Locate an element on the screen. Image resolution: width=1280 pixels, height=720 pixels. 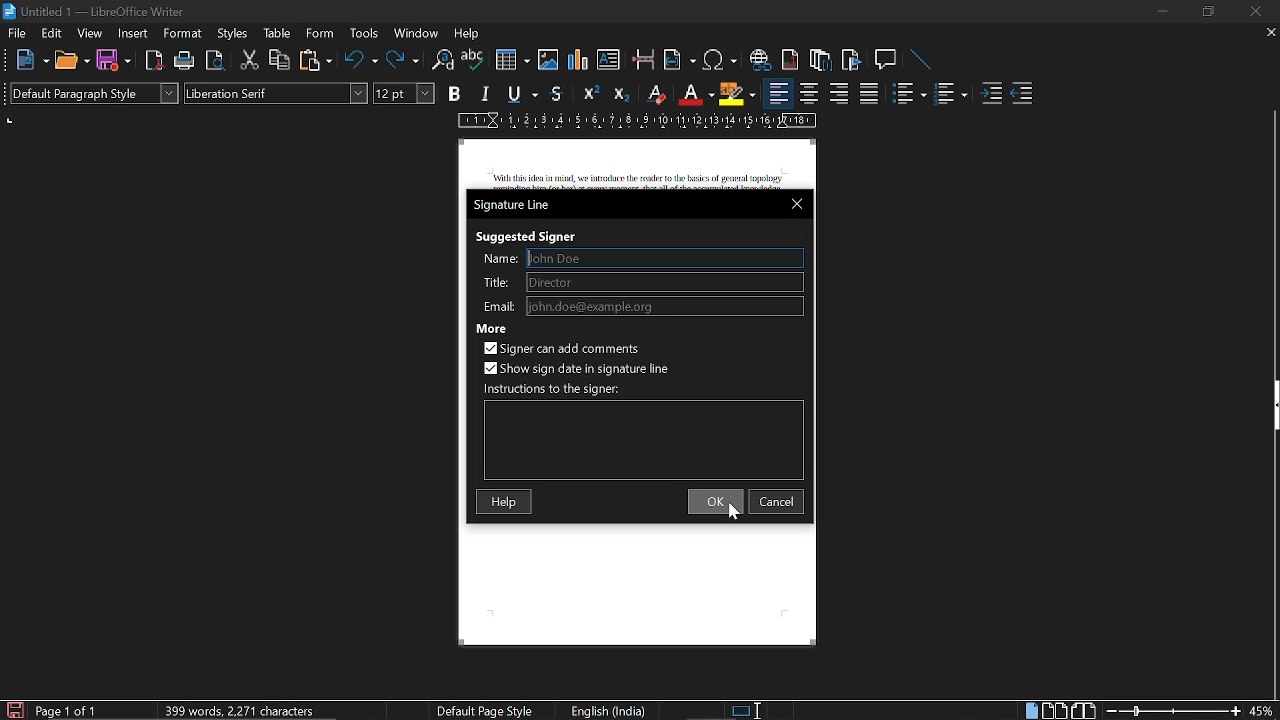
increase indent is located at coordinates (993, 91).